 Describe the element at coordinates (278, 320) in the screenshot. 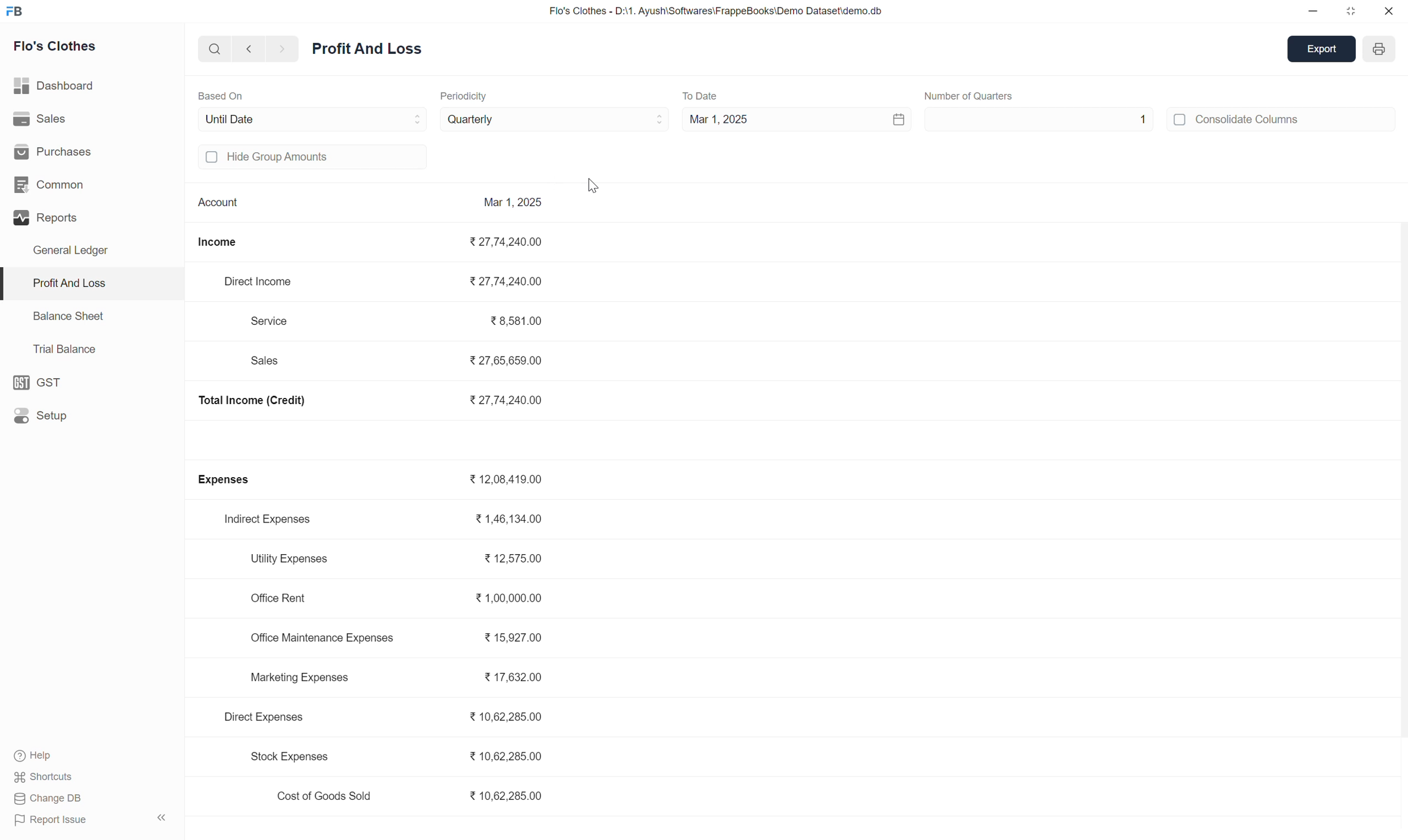

I see `Service` at that location.